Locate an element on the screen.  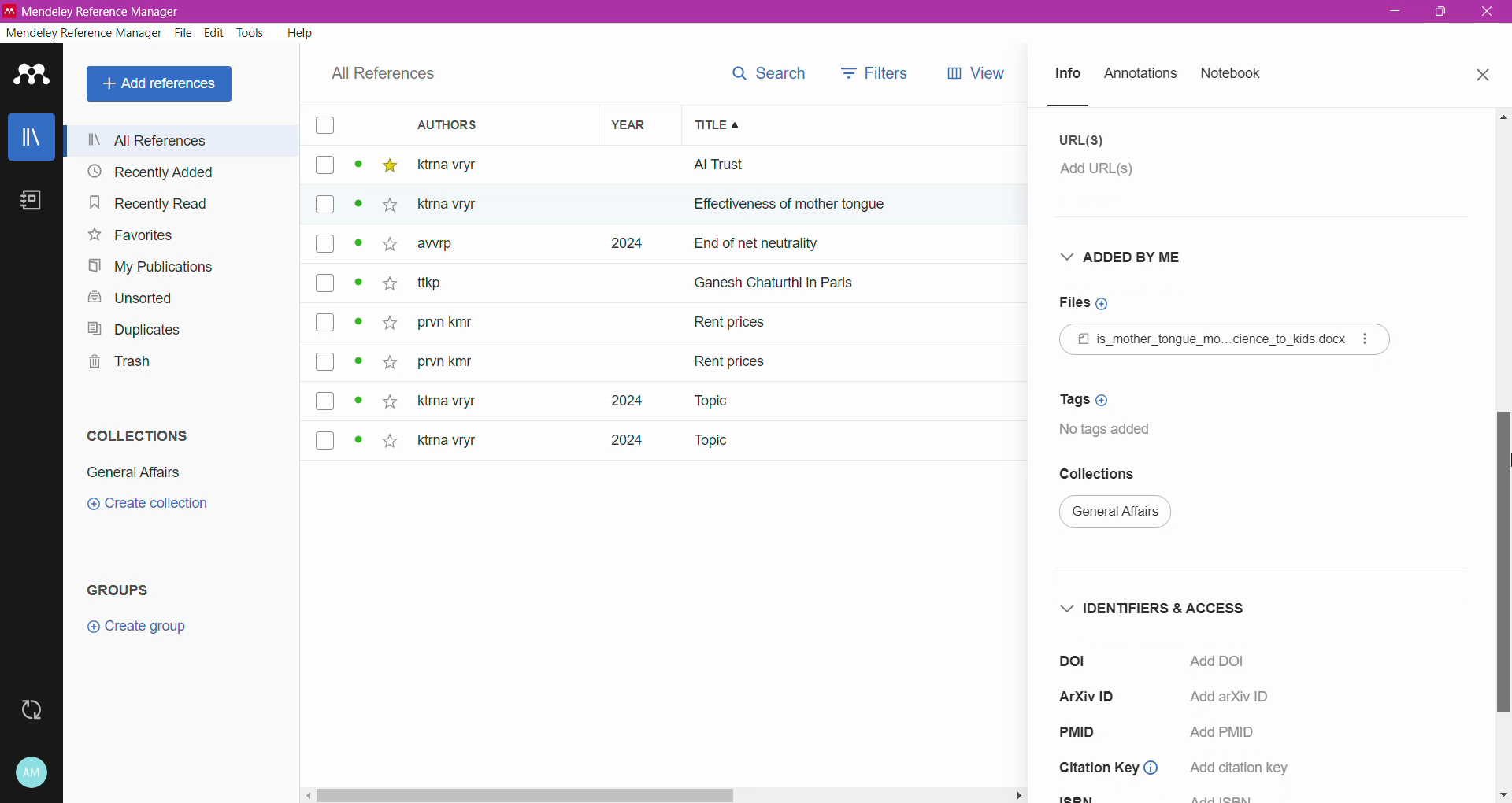
box is located at coordinates (325, 439).